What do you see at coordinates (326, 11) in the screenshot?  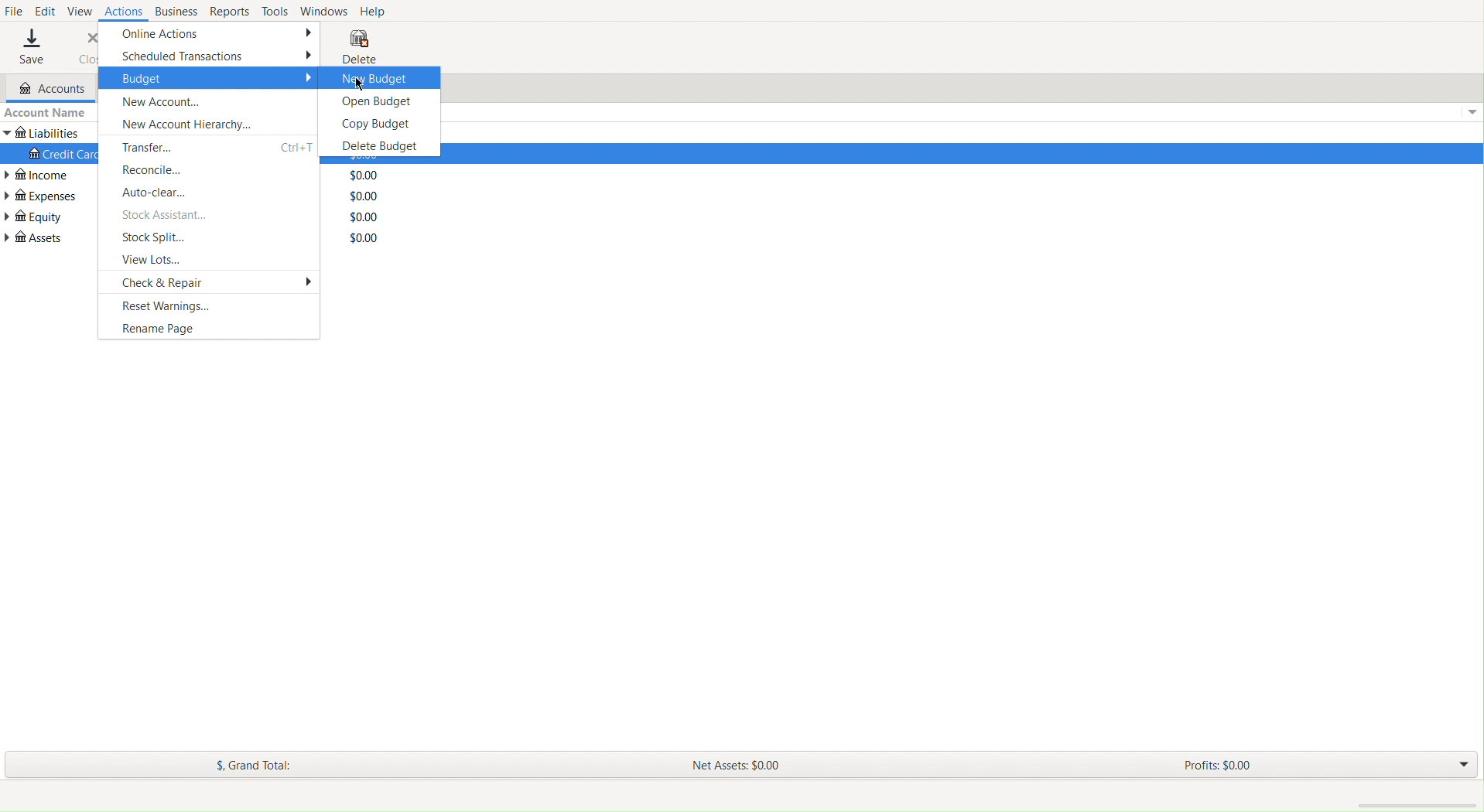 I see `Windows` at bounding box center [326, 11].